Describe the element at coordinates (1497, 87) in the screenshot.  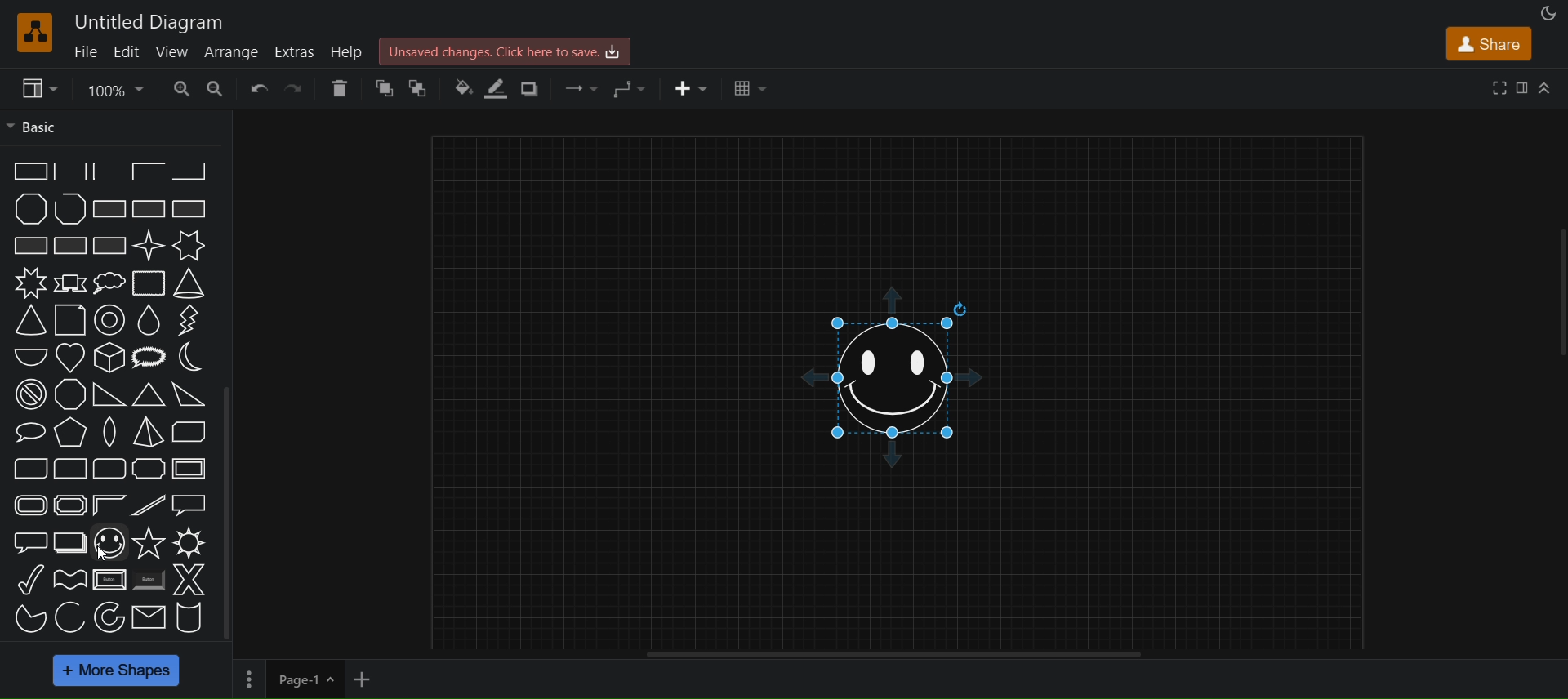
I see `fullscreen` at that location.